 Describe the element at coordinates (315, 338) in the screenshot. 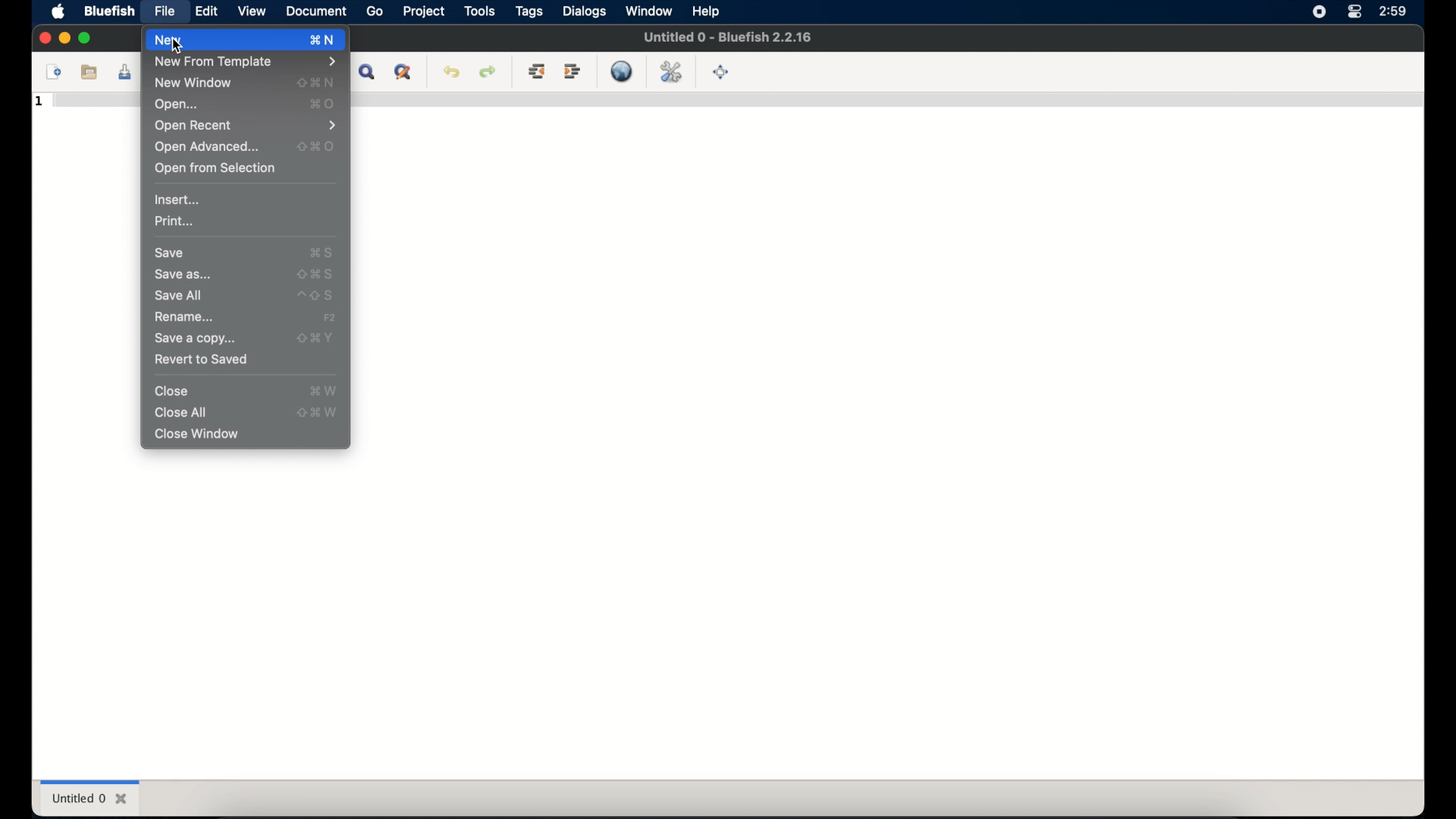

I see `save a copy shortcut` at that location.